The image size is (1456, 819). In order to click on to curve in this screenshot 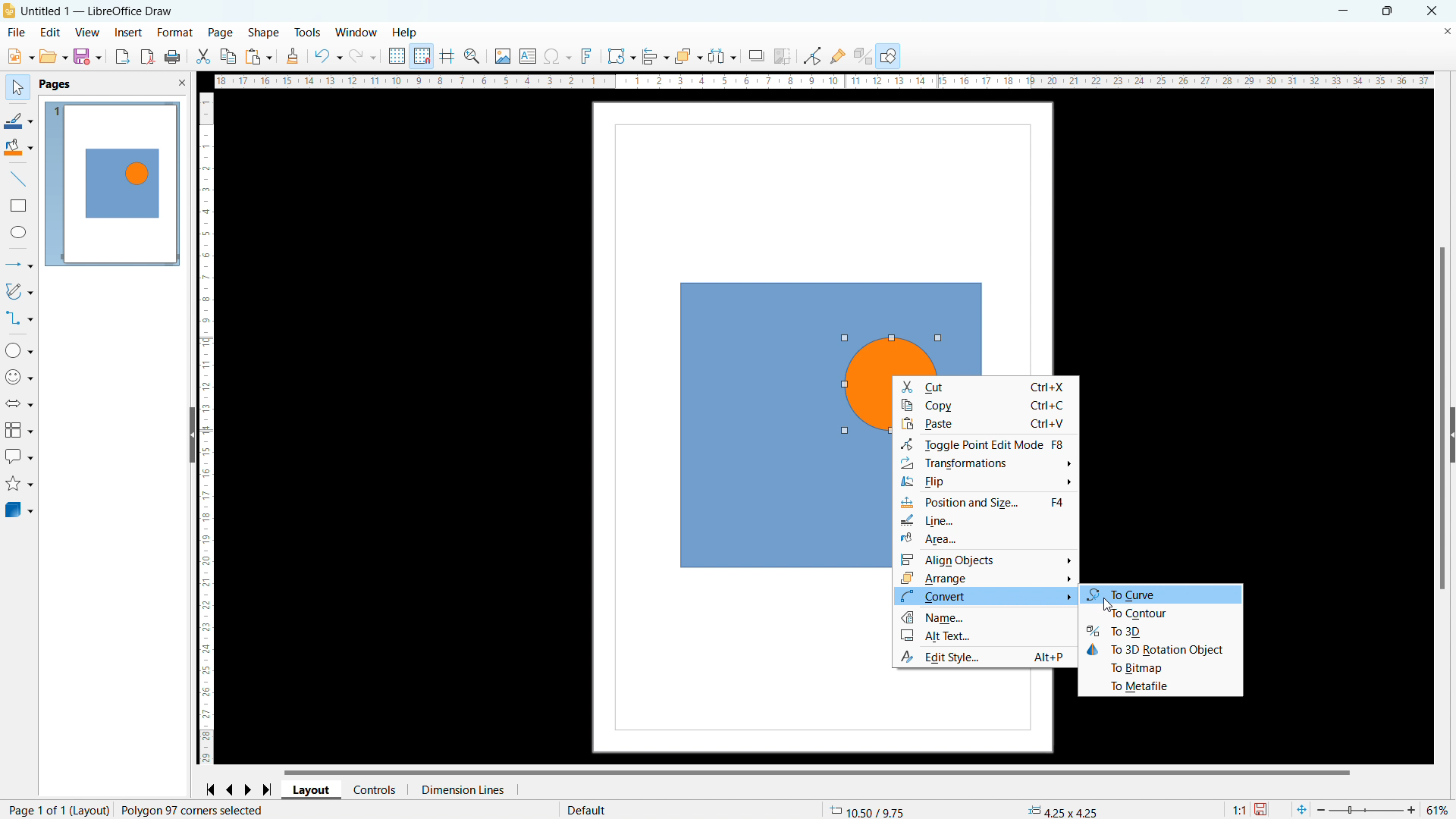, I will do `click(1159, 594)`.